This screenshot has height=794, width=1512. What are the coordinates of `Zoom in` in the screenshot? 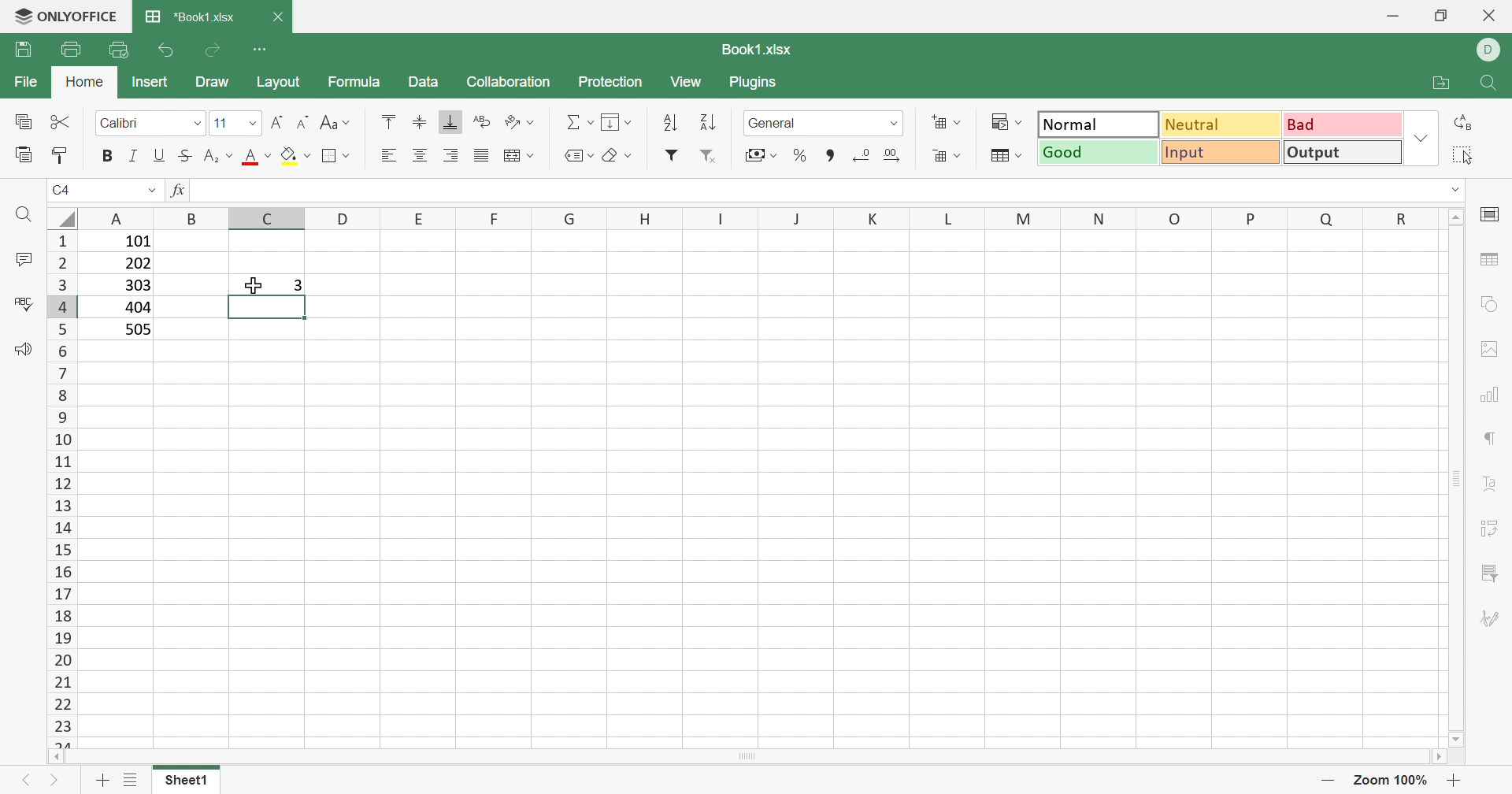 It's located at (1456, 780).